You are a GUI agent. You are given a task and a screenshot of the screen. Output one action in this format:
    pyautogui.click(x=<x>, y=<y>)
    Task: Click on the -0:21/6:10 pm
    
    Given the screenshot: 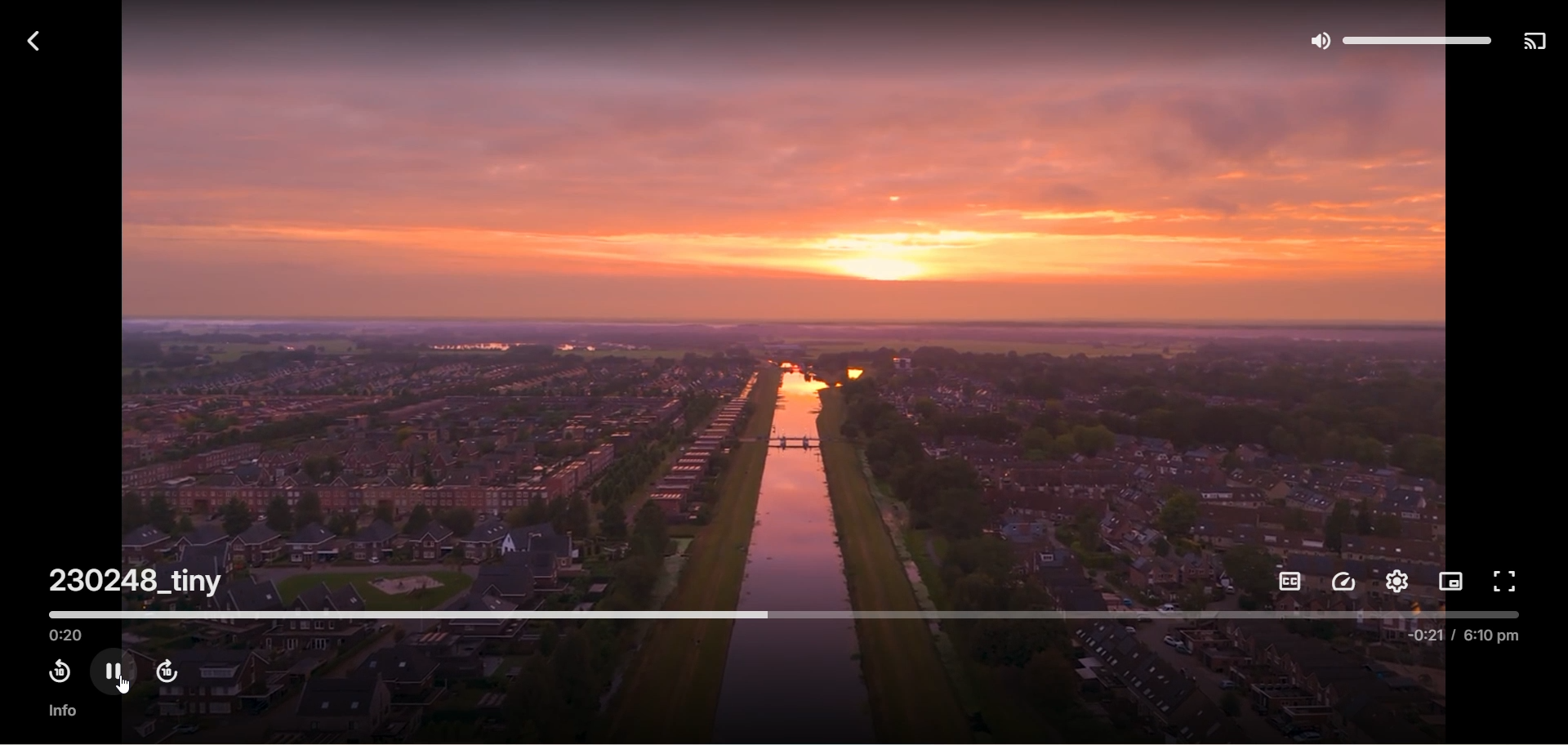 What is the action you would take?
    pyautogui.click(x=1459, y=640)
    